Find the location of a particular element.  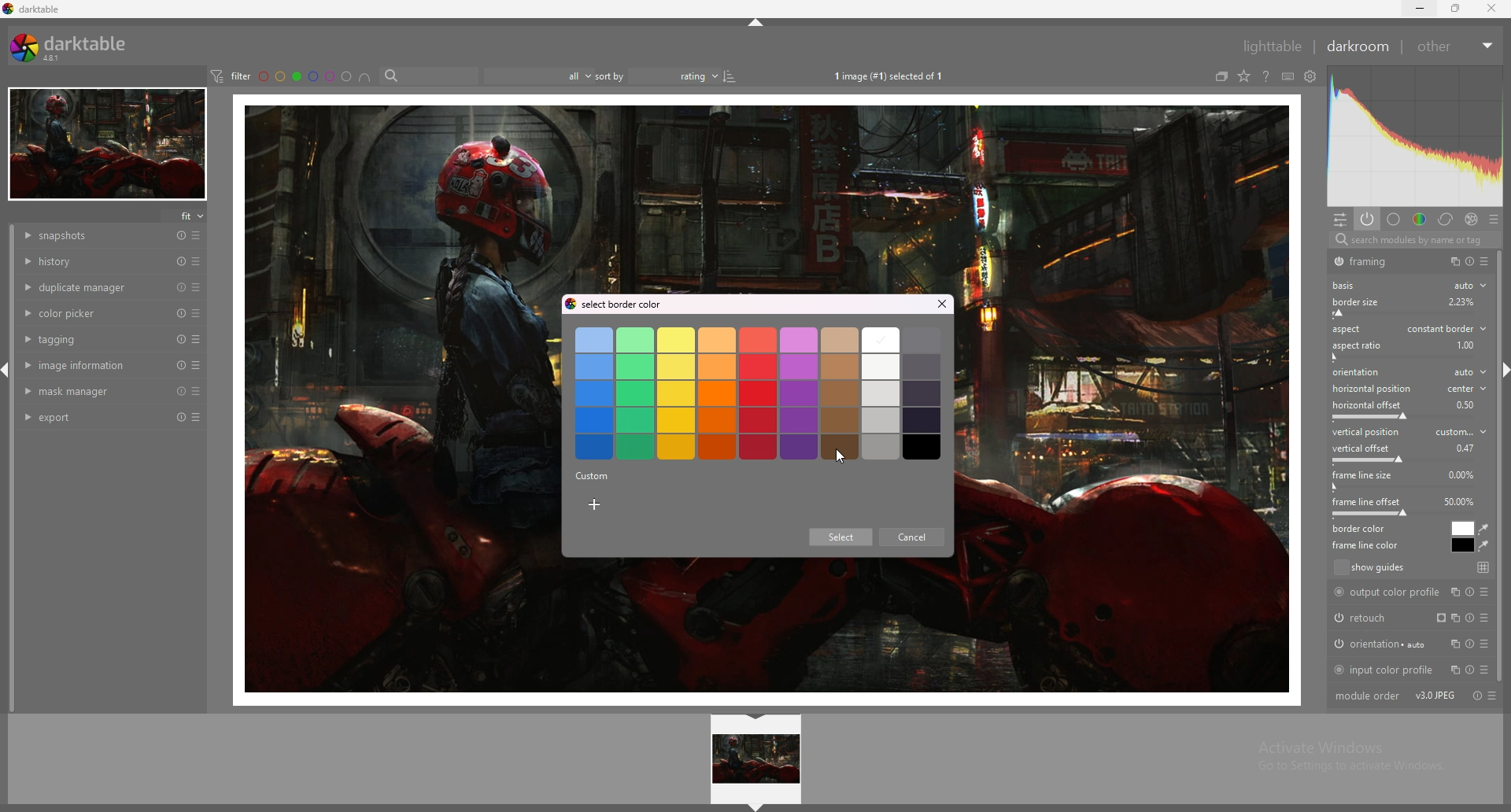

horizontal position is located at coordinates (1408, 389).